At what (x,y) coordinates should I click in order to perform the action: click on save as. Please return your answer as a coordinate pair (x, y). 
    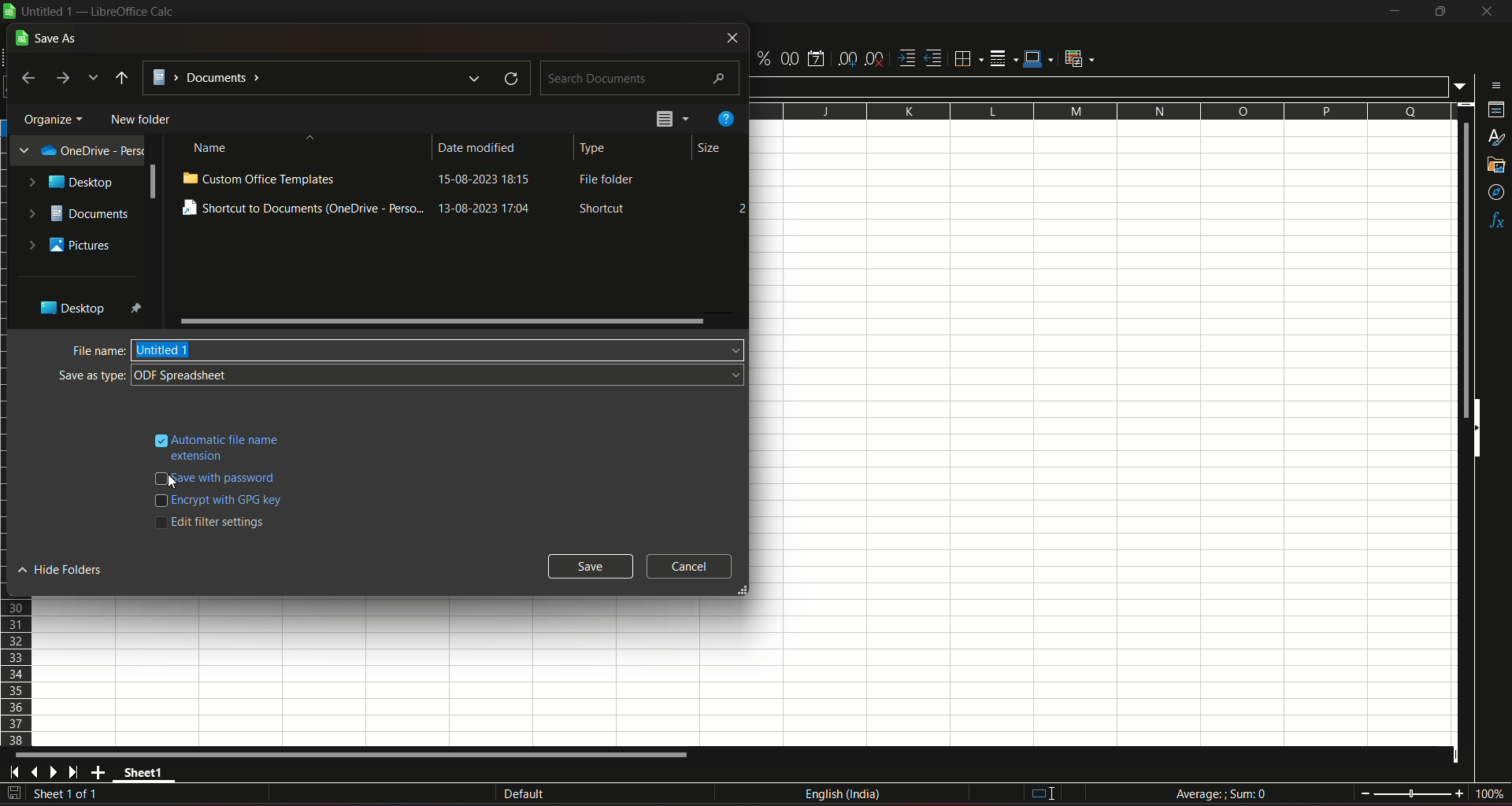
    Looking at the image, I should click on (49, 38).